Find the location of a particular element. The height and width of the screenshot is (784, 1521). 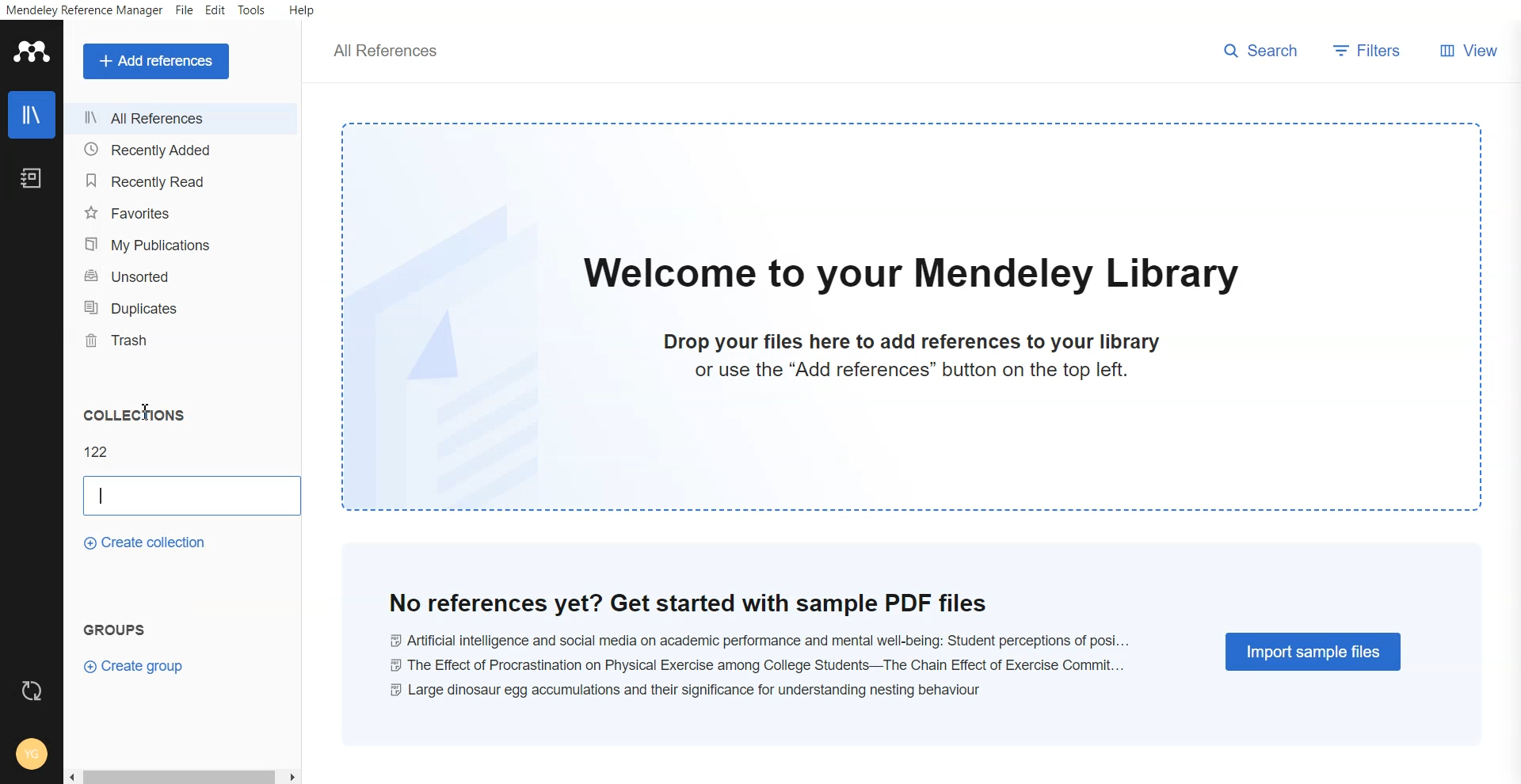

Unsorted is located at coordinates (183, 276).